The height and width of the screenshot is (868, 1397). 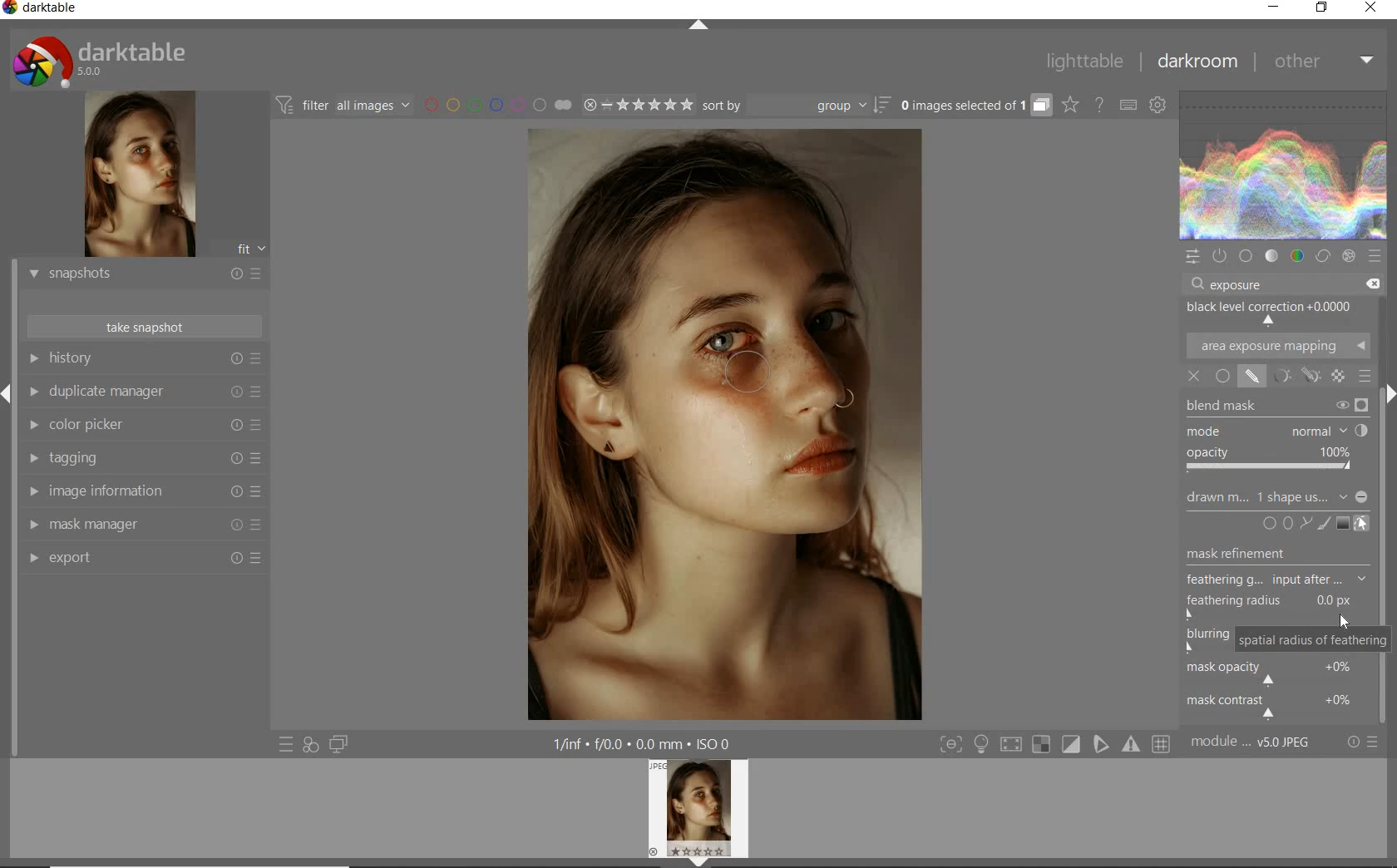 What do you see at coordinates (309, 745) in the screenshot?
I see `quick access for applying any of your styles` at bounding box center [309, 745].